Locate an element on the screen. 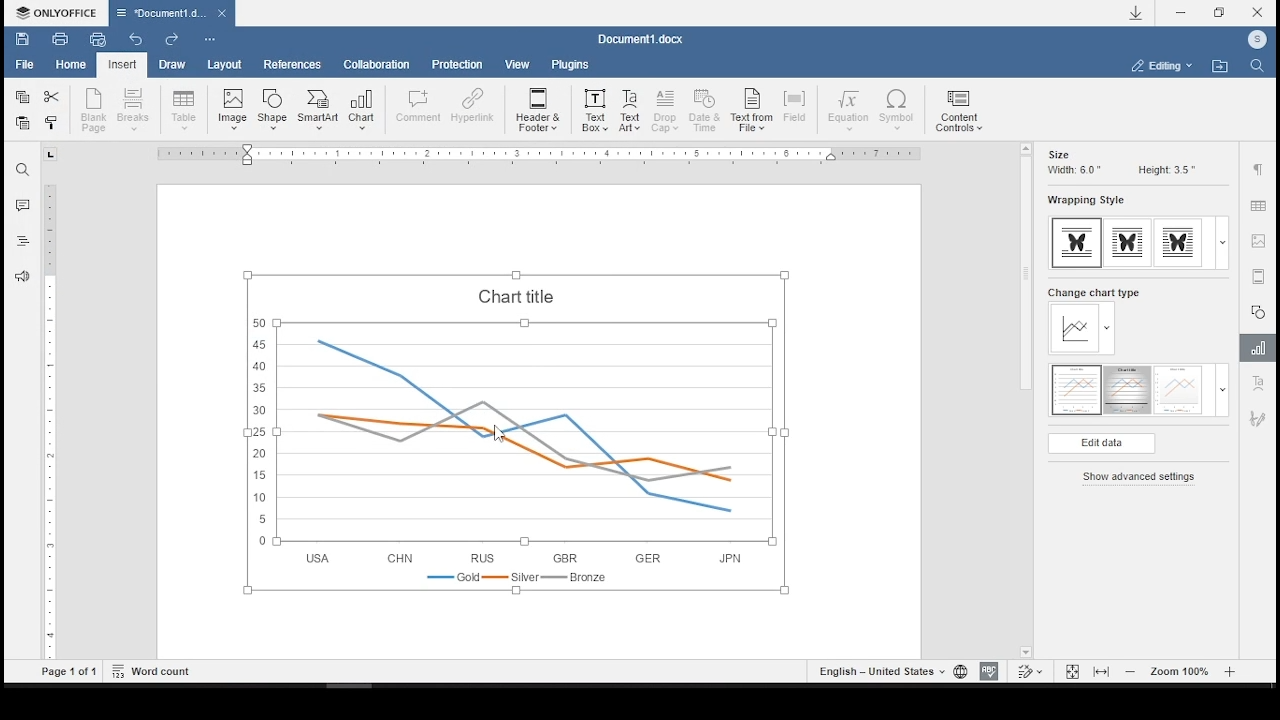 Image resolution: width=1280 pixels, height=720 pixels. find is located at coordinates (1257, 65).